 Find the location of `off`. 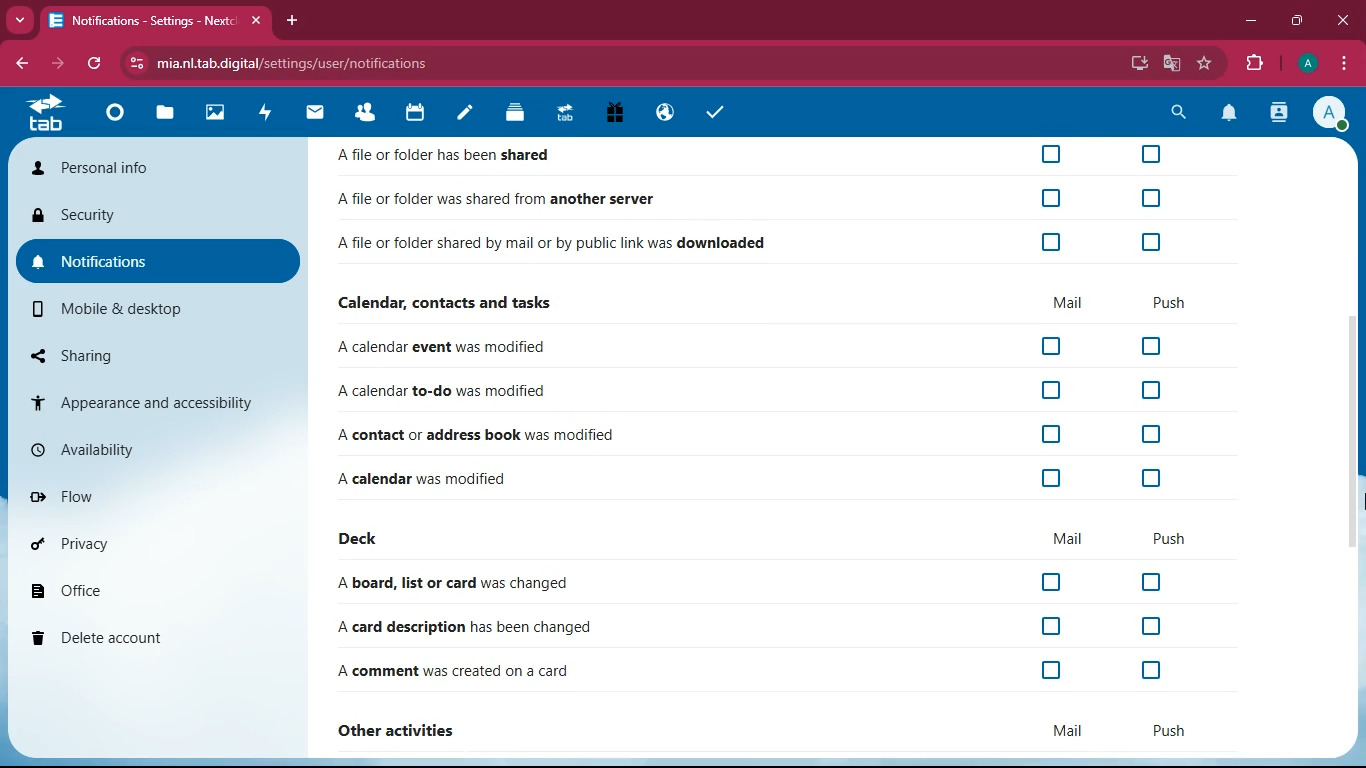

off is located at coordinates (1153, 347).